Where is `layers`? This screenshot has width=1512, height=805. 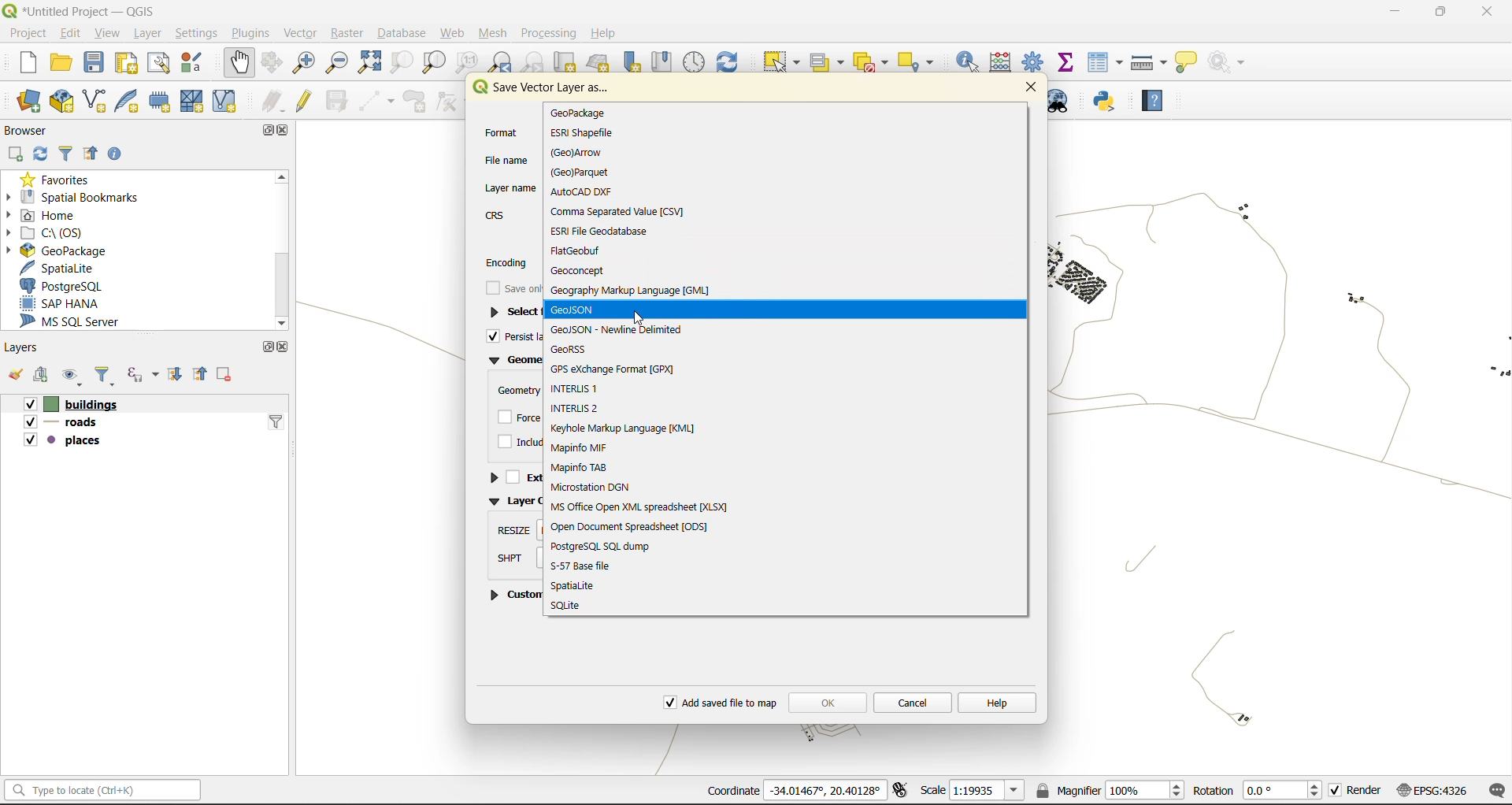
layers is located at coordinates (22, 347).